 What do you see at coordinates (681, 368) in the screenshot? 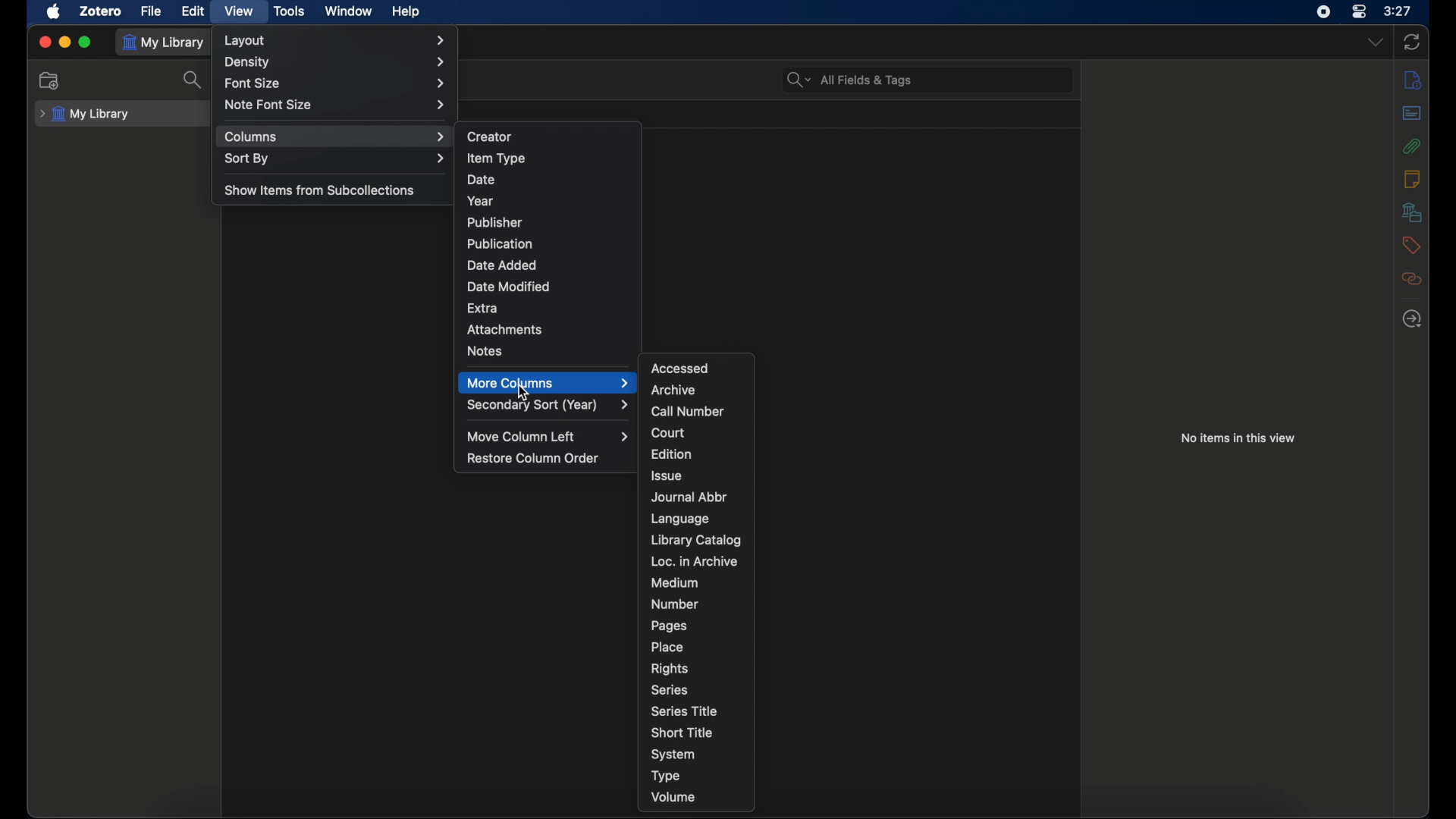
I see `accessed` at bounding box center [681, 368].